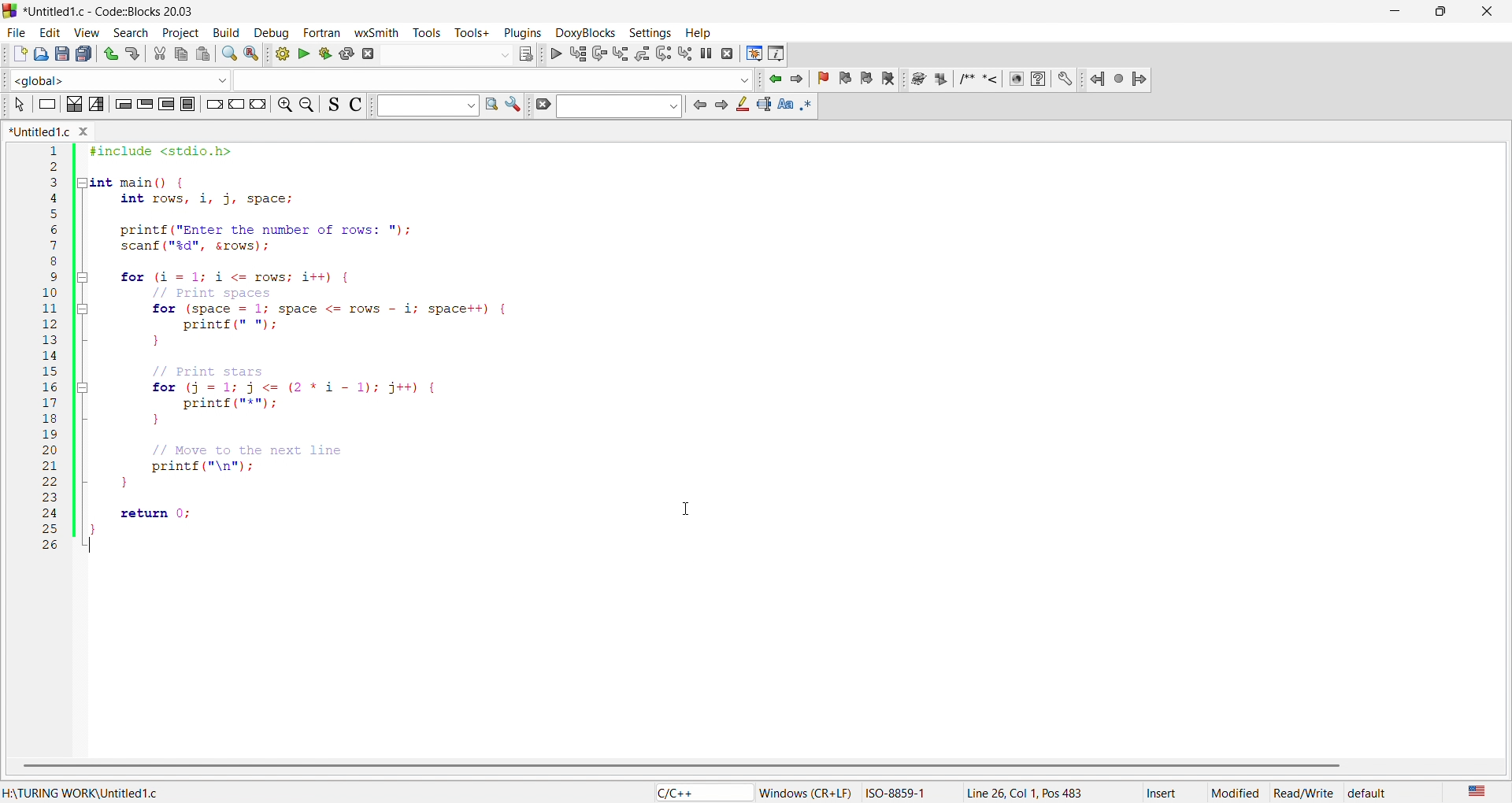 This screenshot has height=803, width=1512. I want to click on icon, so click(742, 109).